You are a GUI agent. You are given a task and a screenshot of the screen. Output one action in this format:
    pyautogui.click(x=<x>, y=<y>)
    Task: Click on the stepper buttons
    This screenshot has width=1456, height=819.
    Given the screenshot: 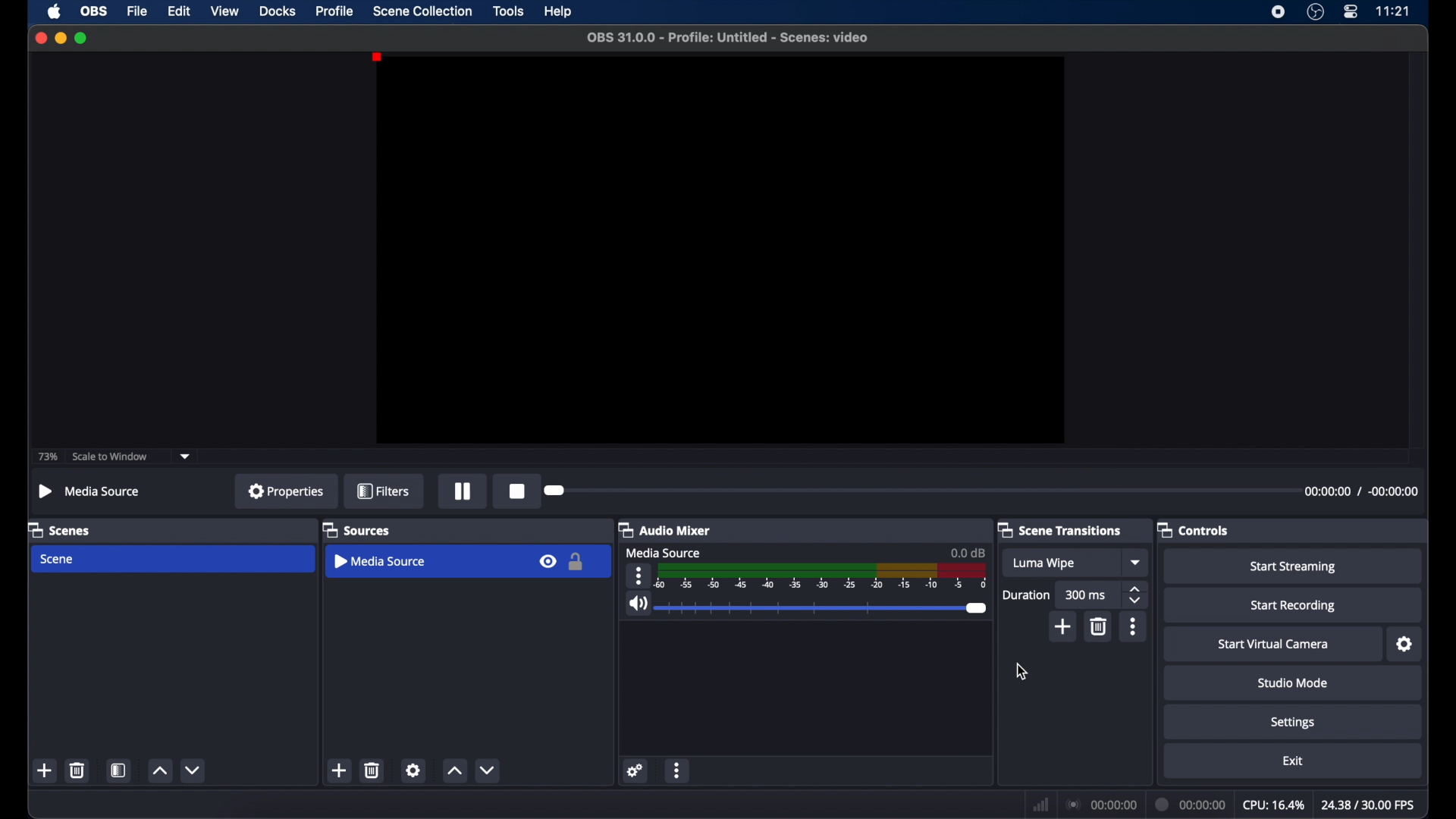 What is the action you would take?
    pyautogui.click(x=1134, y=595)
    